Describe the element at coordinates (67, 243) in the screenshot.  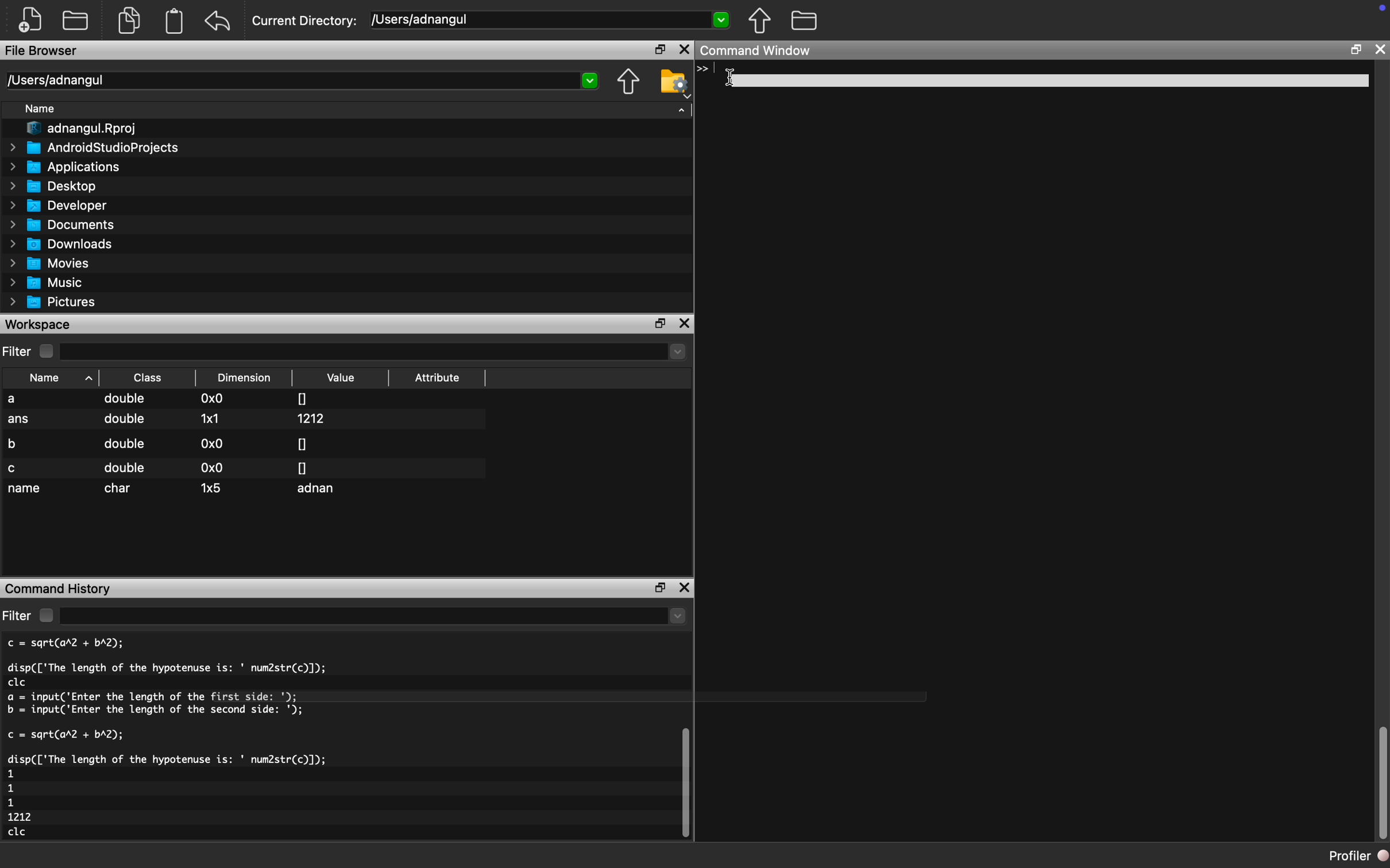
I see ` Downloads` at that location.